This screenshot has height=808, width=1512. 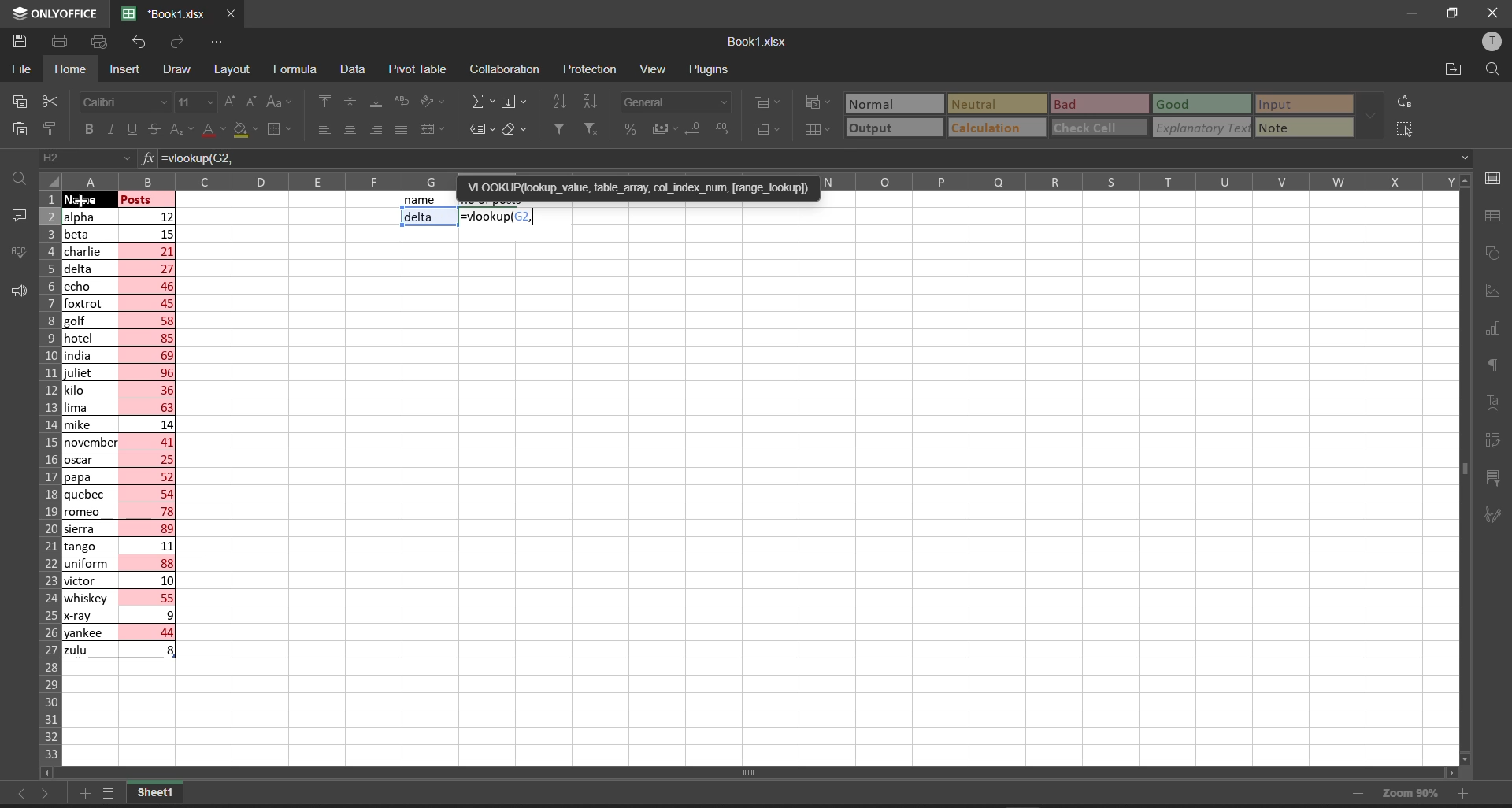 I want to click on italic, so click(x=109, y=129).